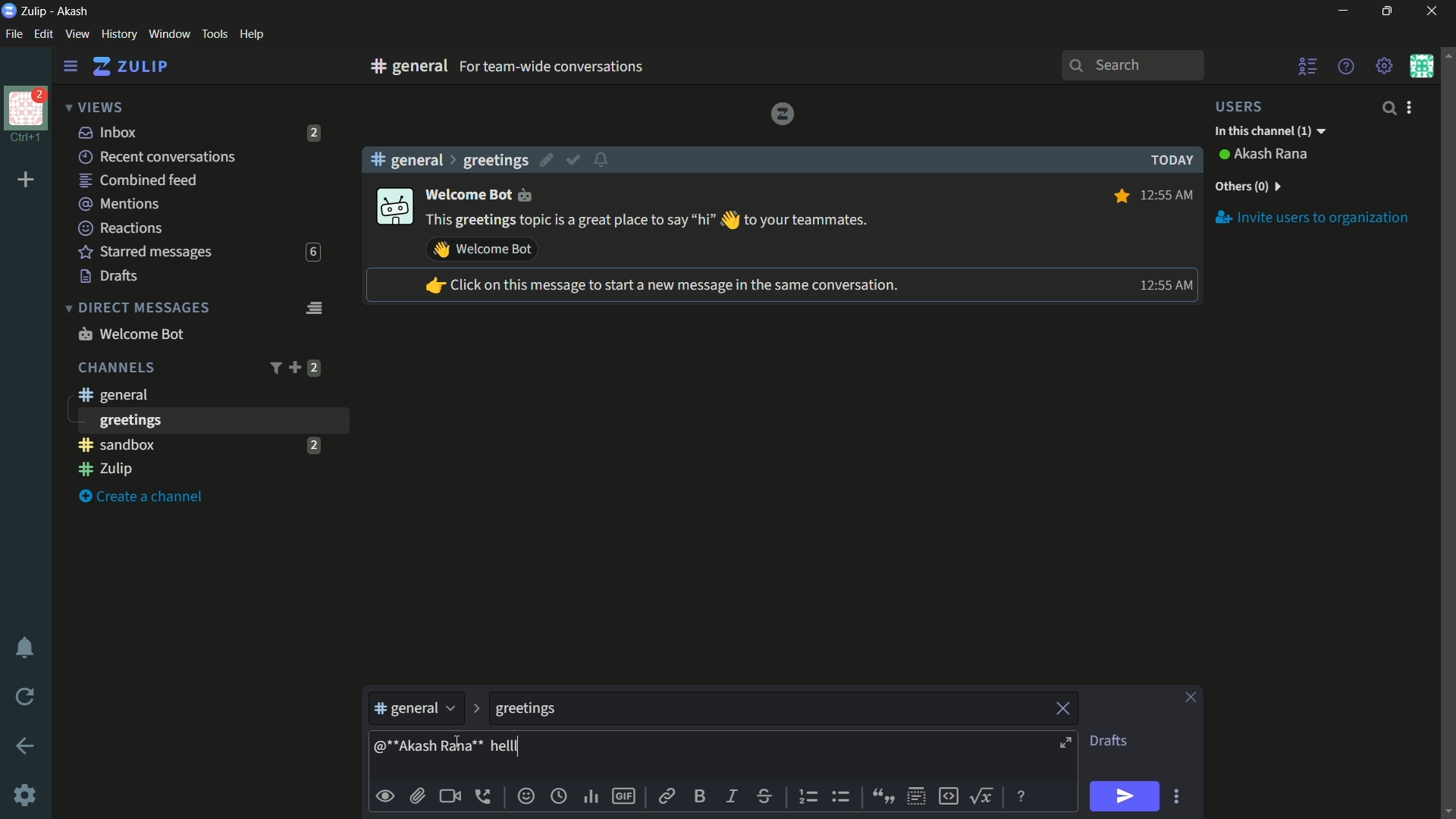  What do you see at coordinates (916, 797) in the screenshot?
I see `spoiler` at bounding box center [916, 797].